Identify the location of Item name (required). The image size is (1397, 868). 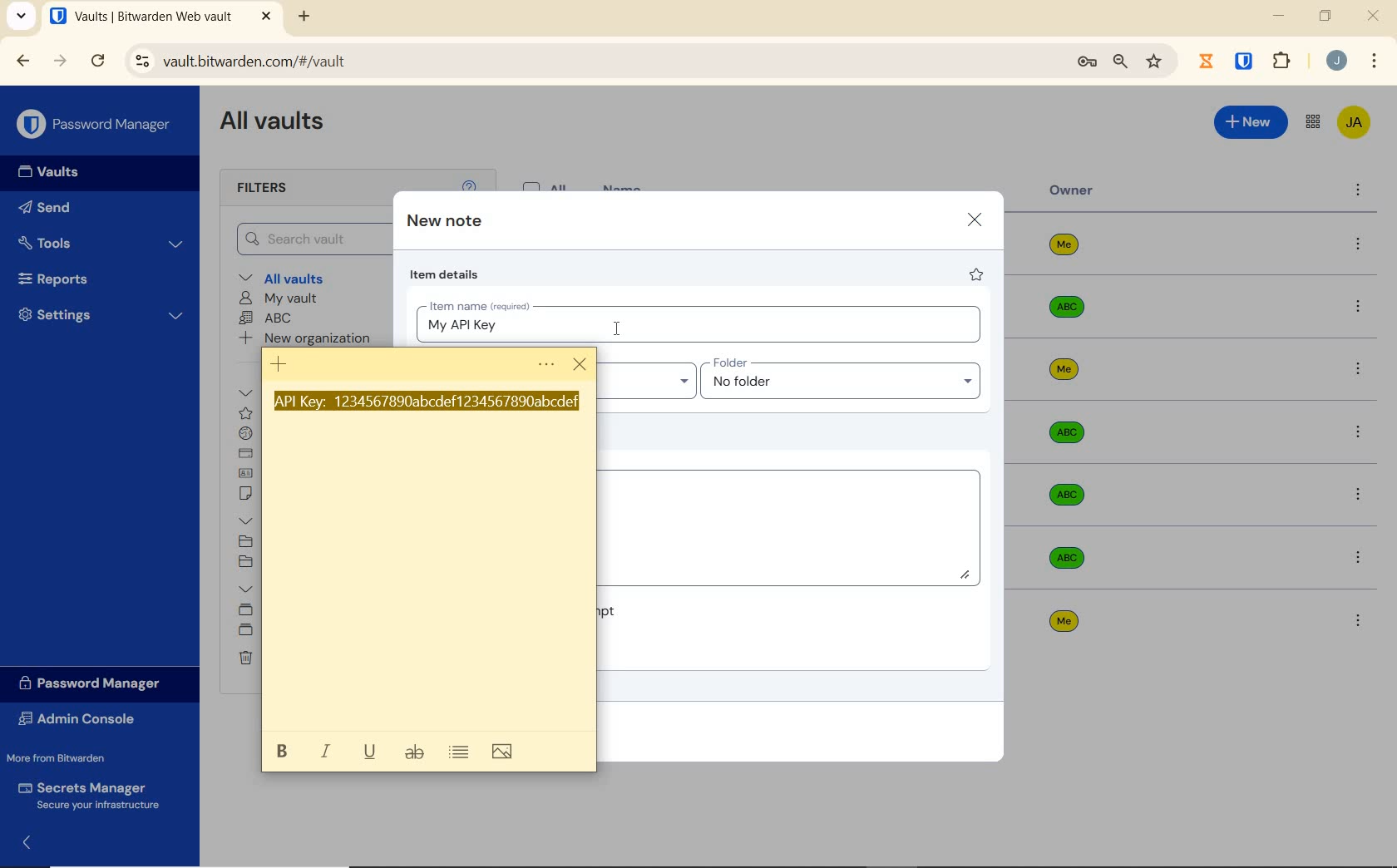
(478, 303).